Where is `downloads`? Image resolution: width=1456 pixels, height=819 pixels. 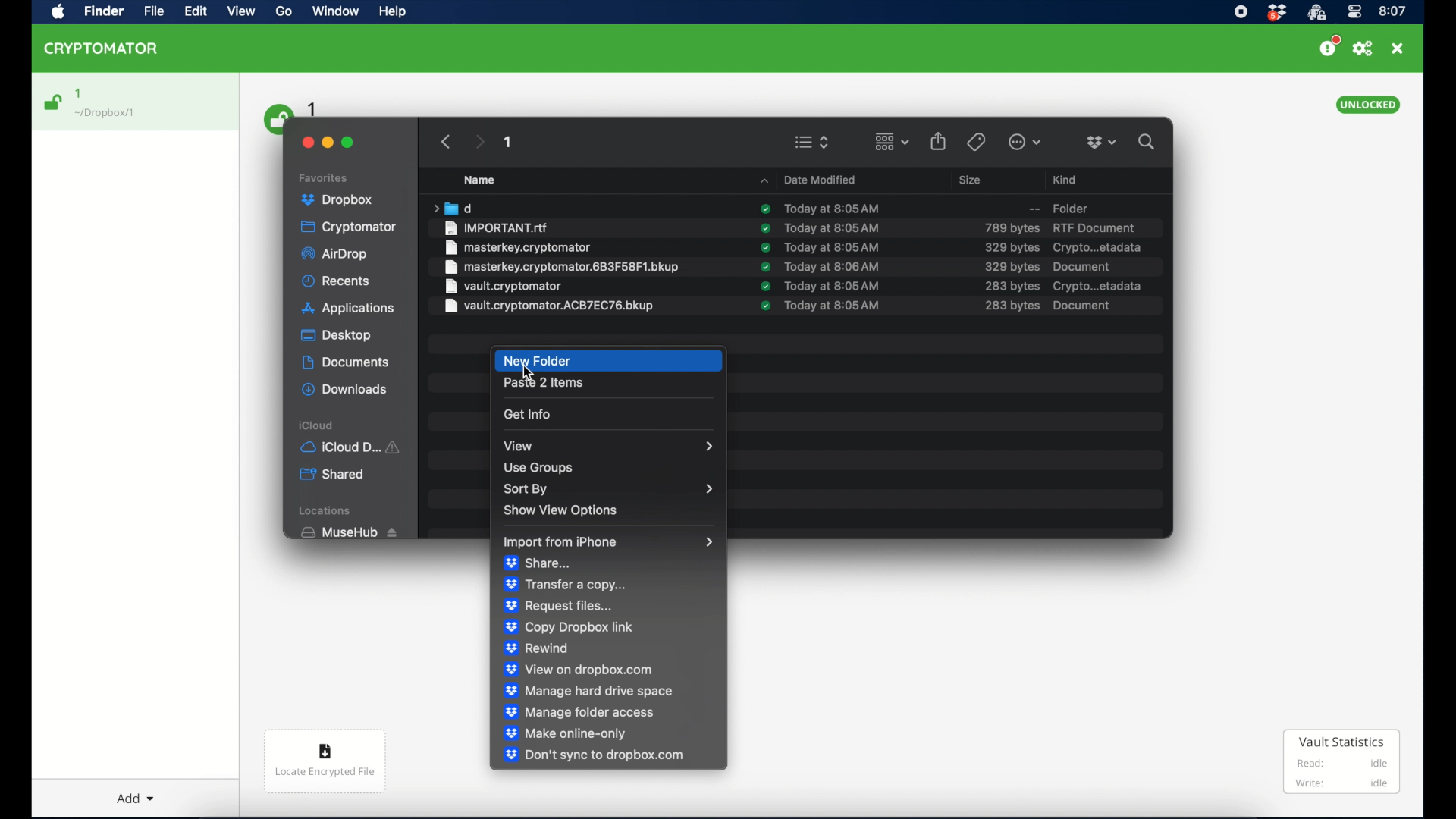
downloads is located at coordinates (344, 389).